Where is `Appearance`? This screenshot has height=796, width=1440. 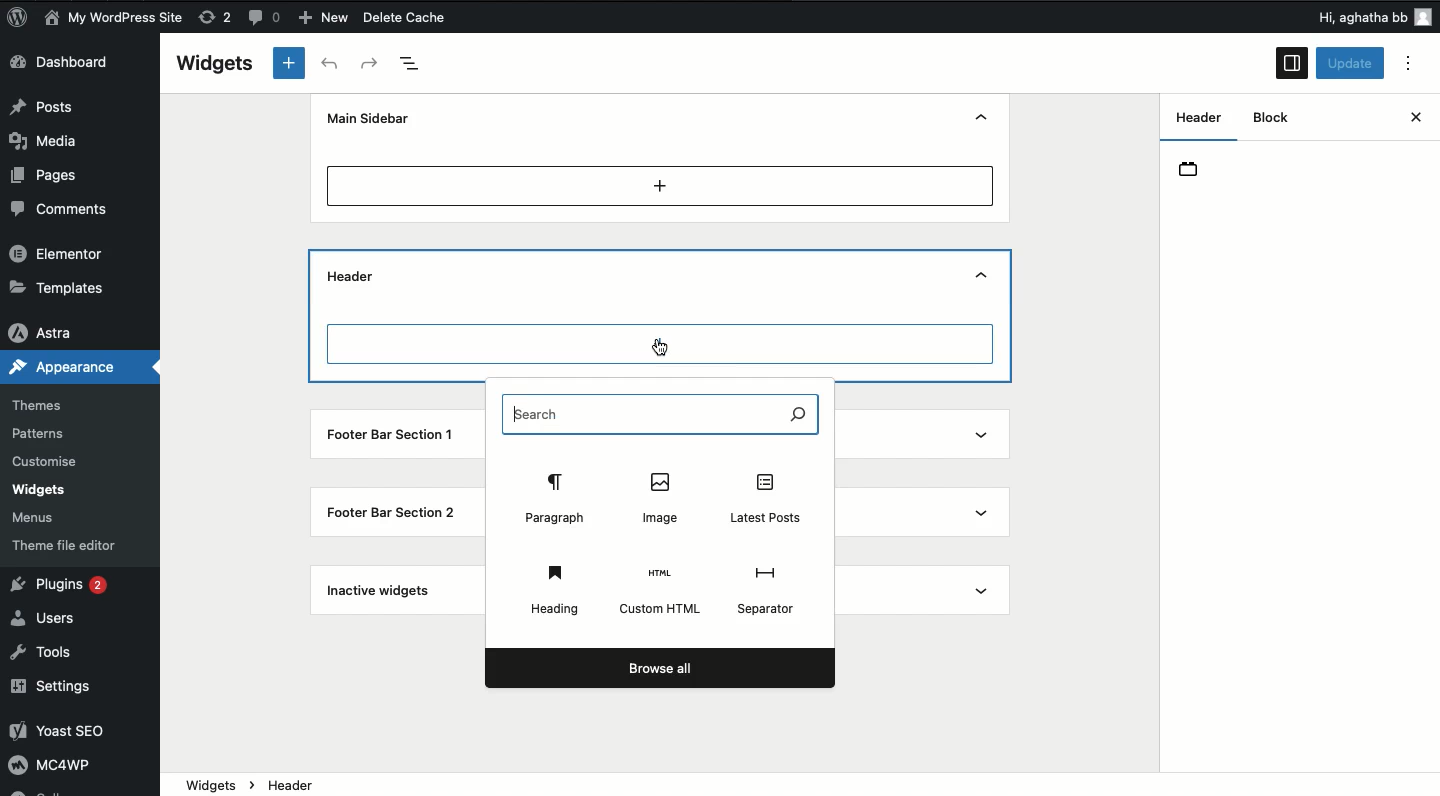 Appearance is located at coordinates (67, 367).